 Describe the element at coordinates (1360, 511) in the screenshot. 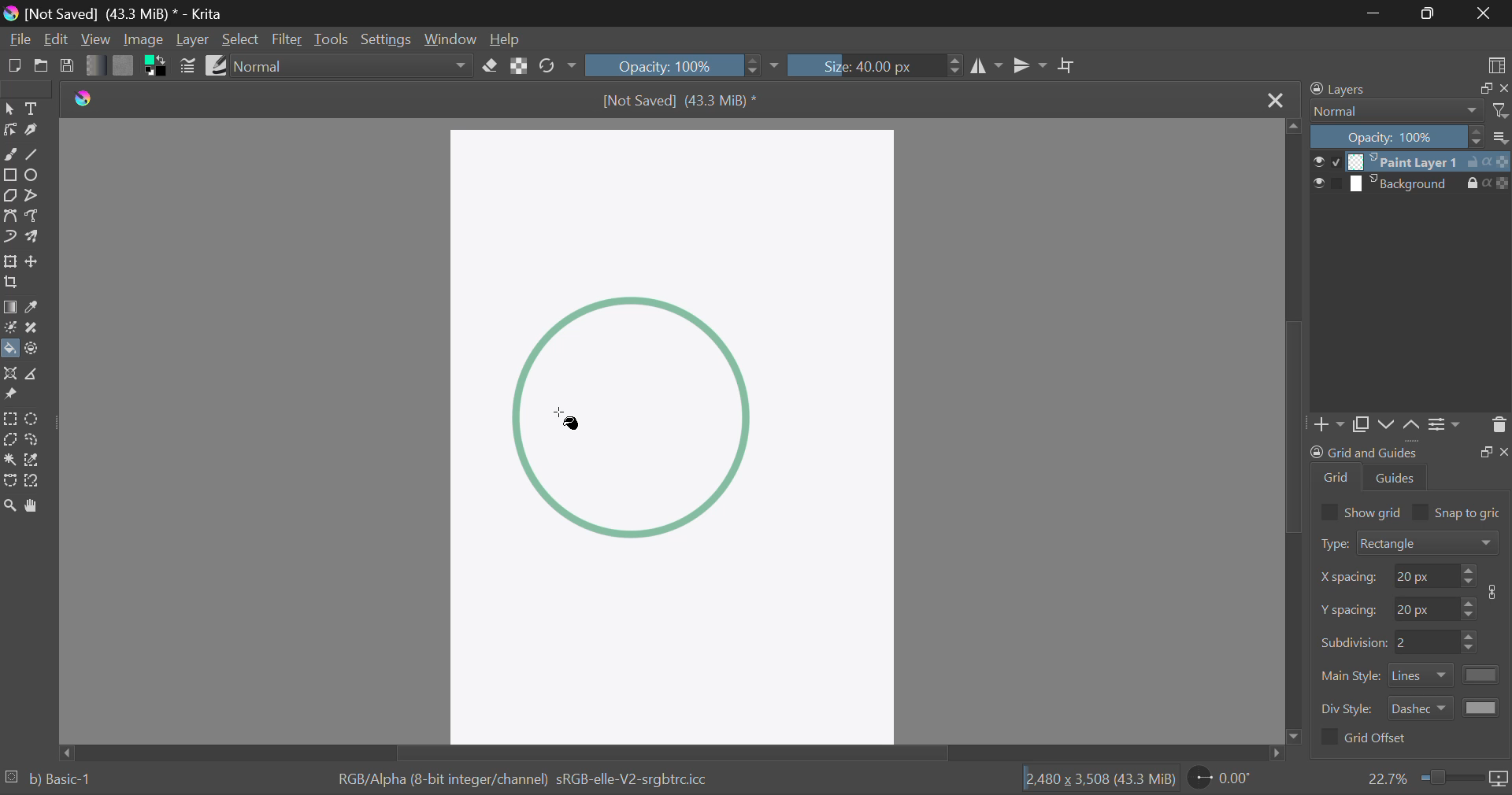

I see `Show grid` at that location.